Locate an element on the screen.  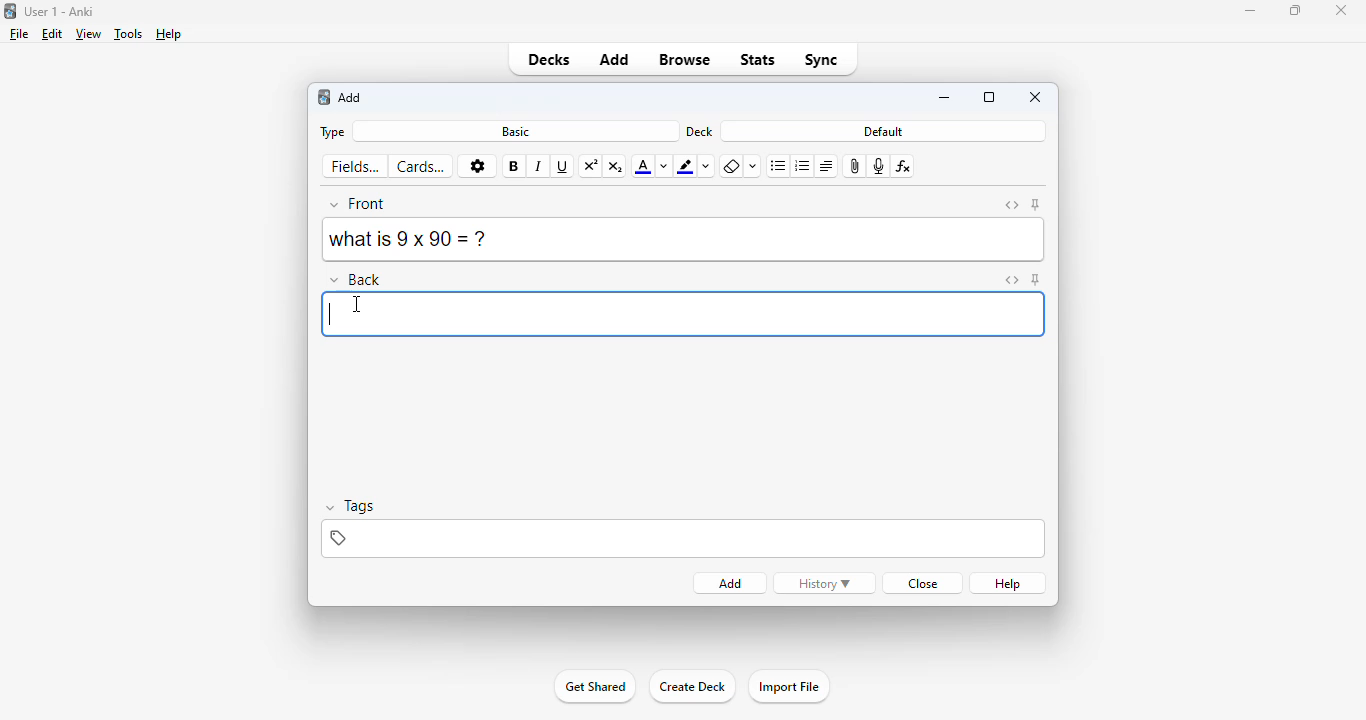
ordered list is located at coordinates (803, 166).